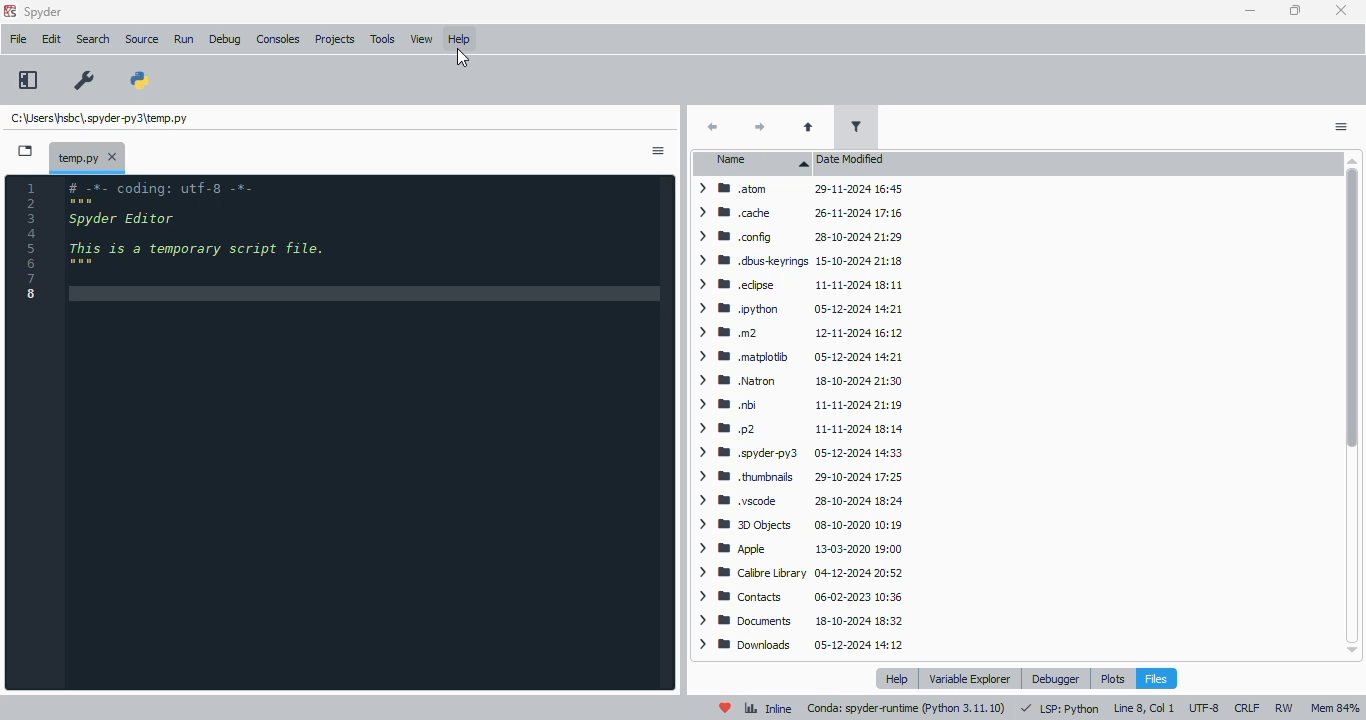 This screenshot has width=1366, height=720. Describe the element at coordinates (9, 11) in the screenshot. I see `logo` at that location.